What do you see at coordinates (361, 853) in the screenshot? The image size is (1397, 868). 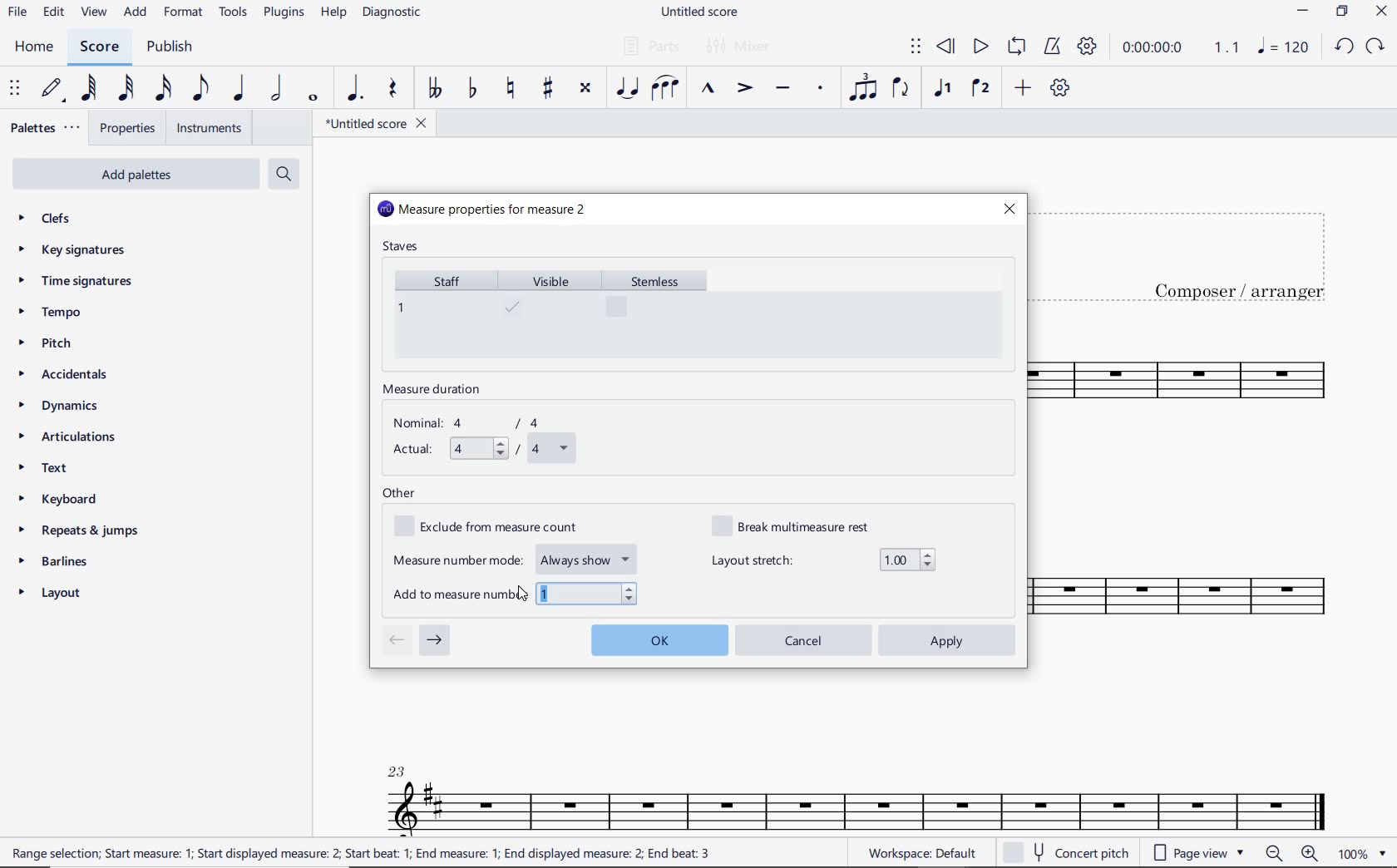 I see `range selection` at bounding box center [361, 853].